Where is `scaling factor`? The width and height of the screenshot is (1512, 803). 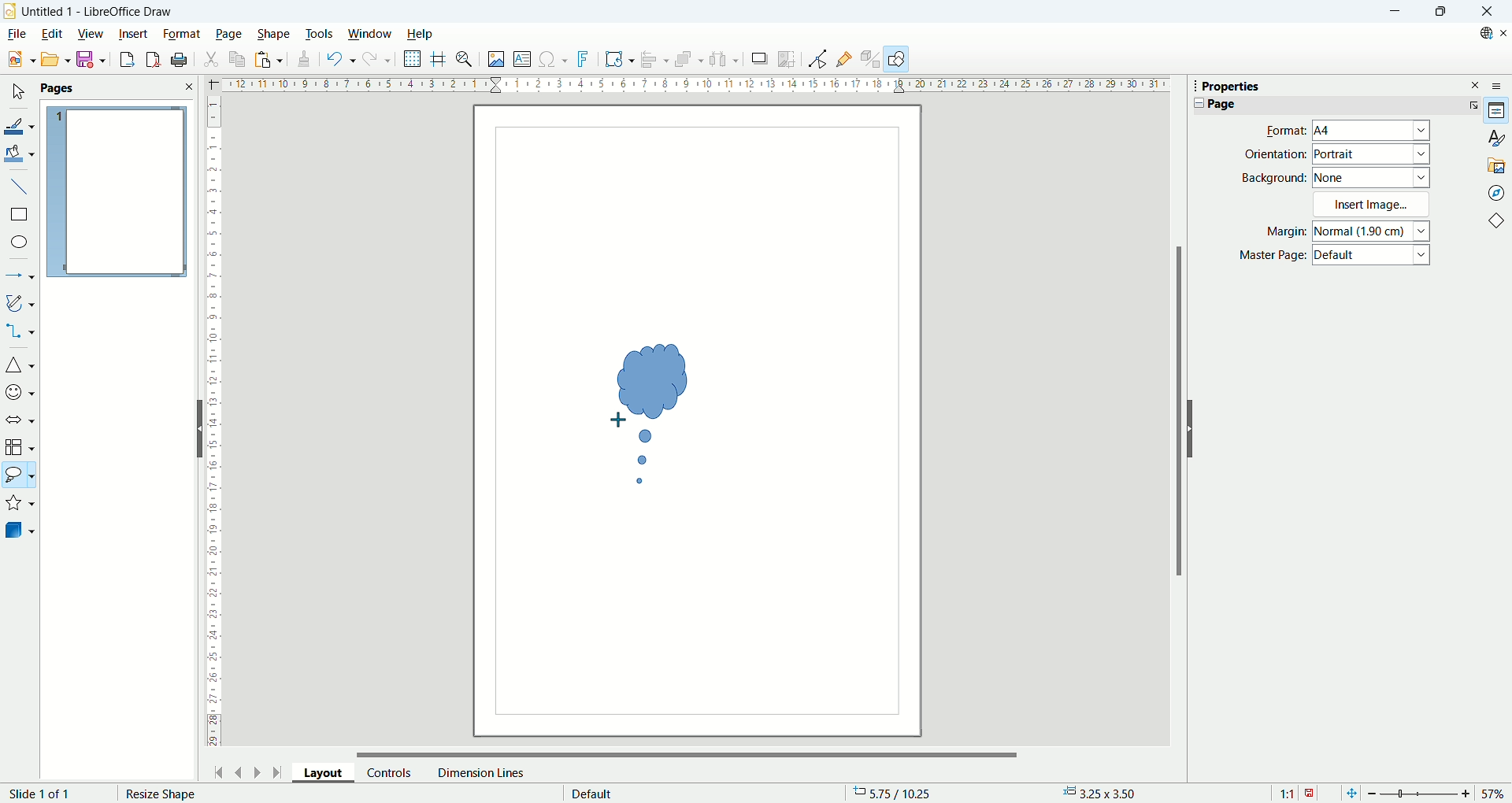
scaling factor is located at coordinates (1296, 792).